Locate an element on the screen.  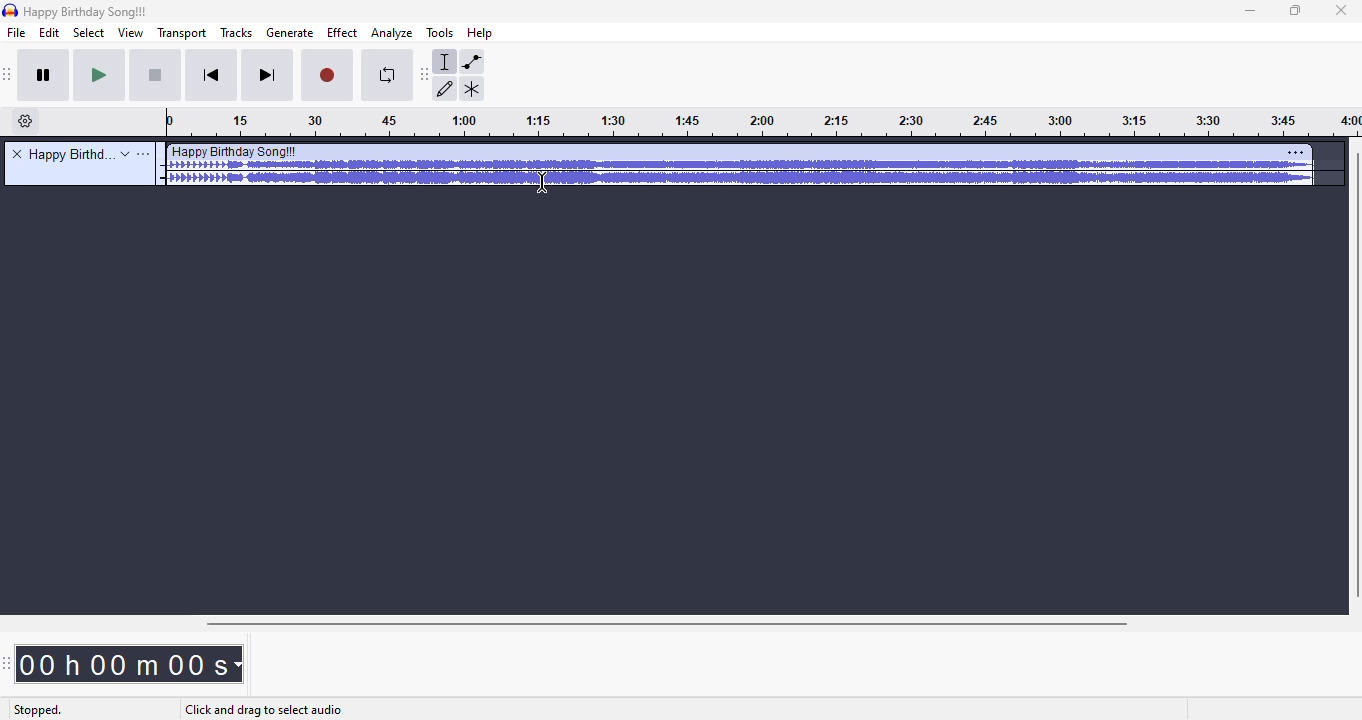
view is located at coordinates (129, 33).